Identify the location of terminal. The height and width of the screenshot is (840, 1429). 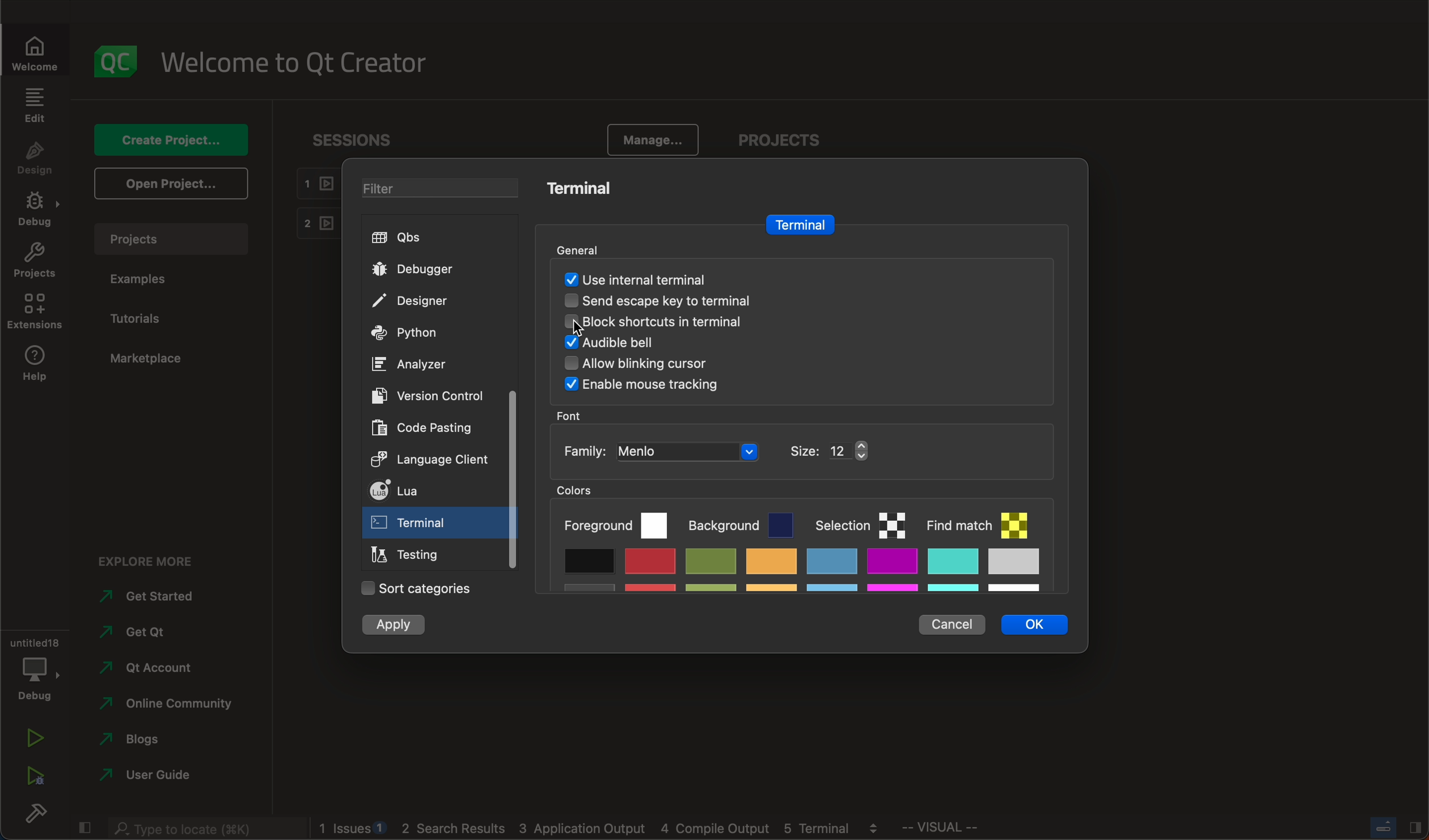
(799, 223).